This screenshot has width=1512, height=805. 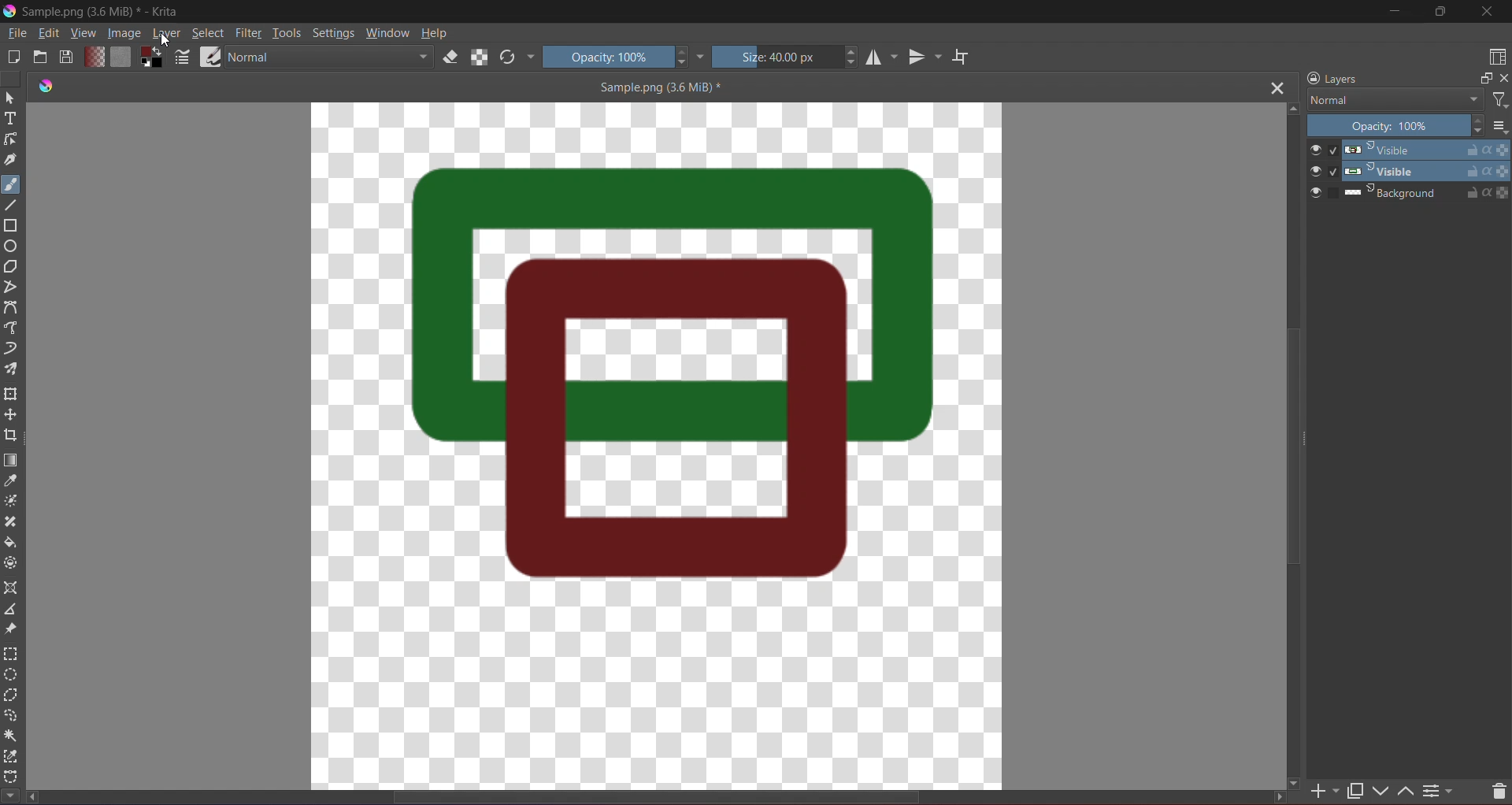 I want to click on Horizontal Scroll Bar, so click(x=665, y=799).